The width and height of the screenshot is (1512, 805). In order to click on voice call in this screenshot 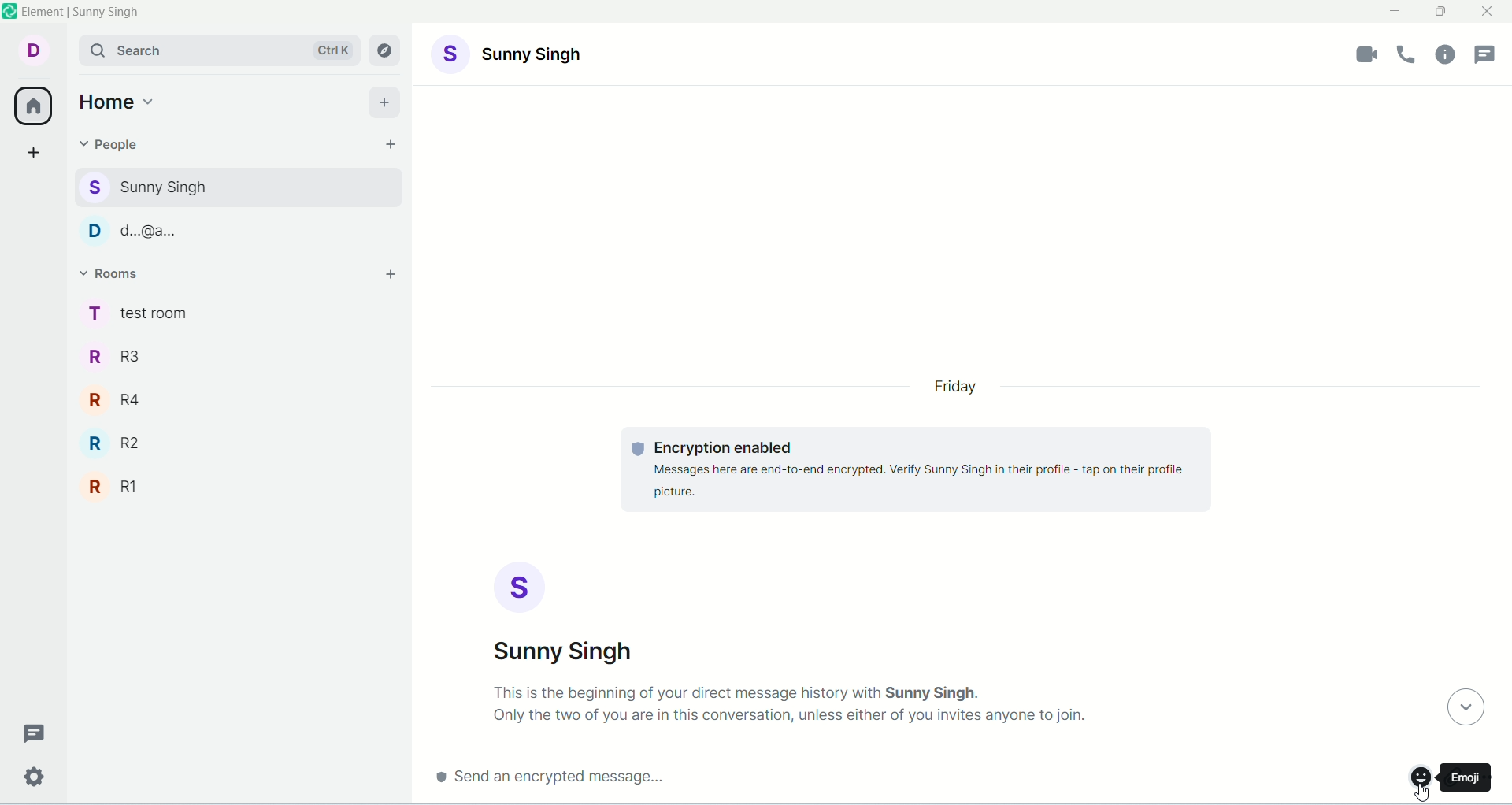, I will do `click(1410, 57)`.